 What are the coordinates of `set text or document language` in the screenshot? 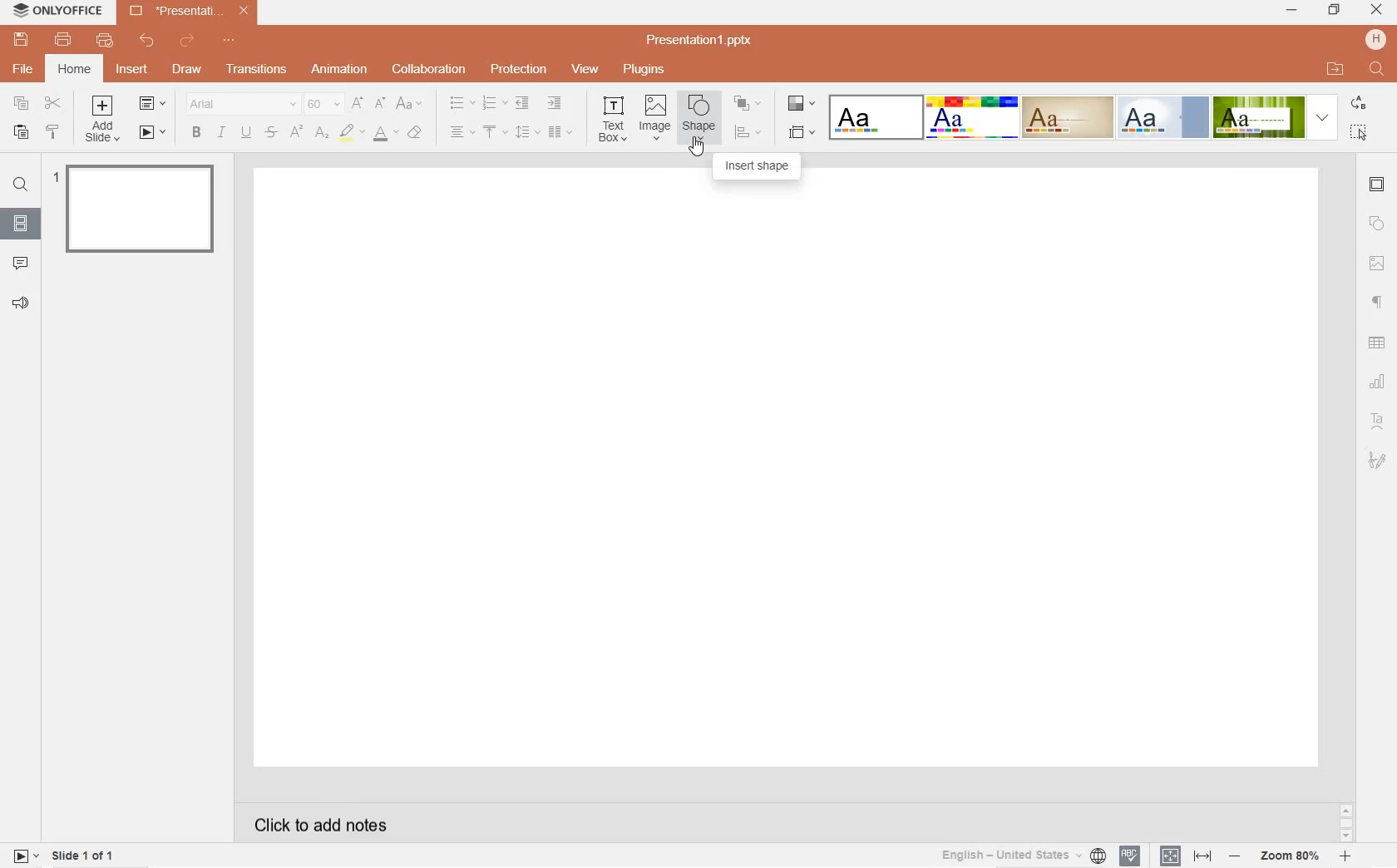 It's located at (1183, 856).